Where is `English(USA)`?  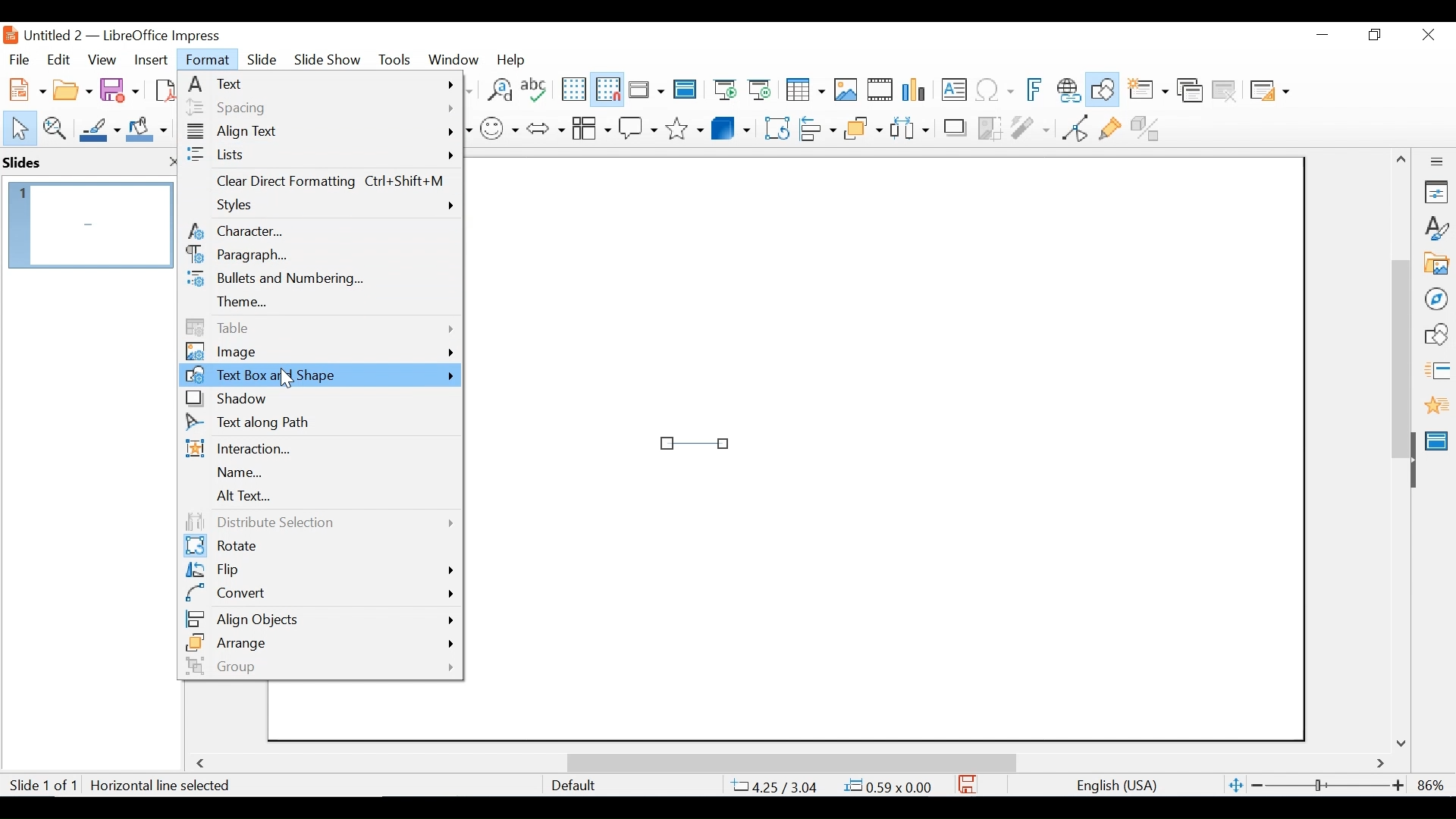 English(USA) is located at coordinates (1109, 786).